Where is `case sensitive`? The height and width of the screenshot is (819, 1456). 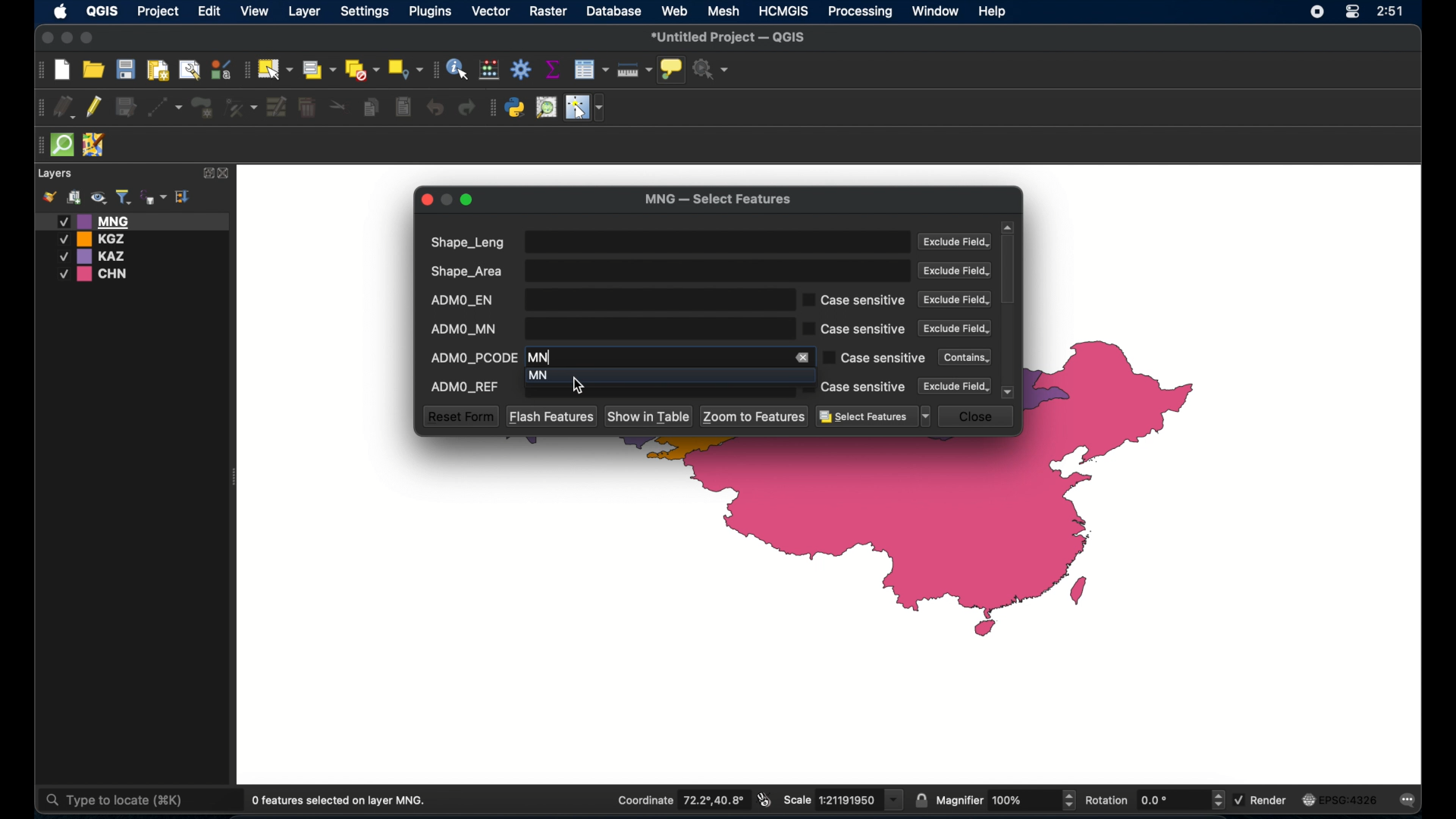 case sensitive is located at coordinates (855, 387).